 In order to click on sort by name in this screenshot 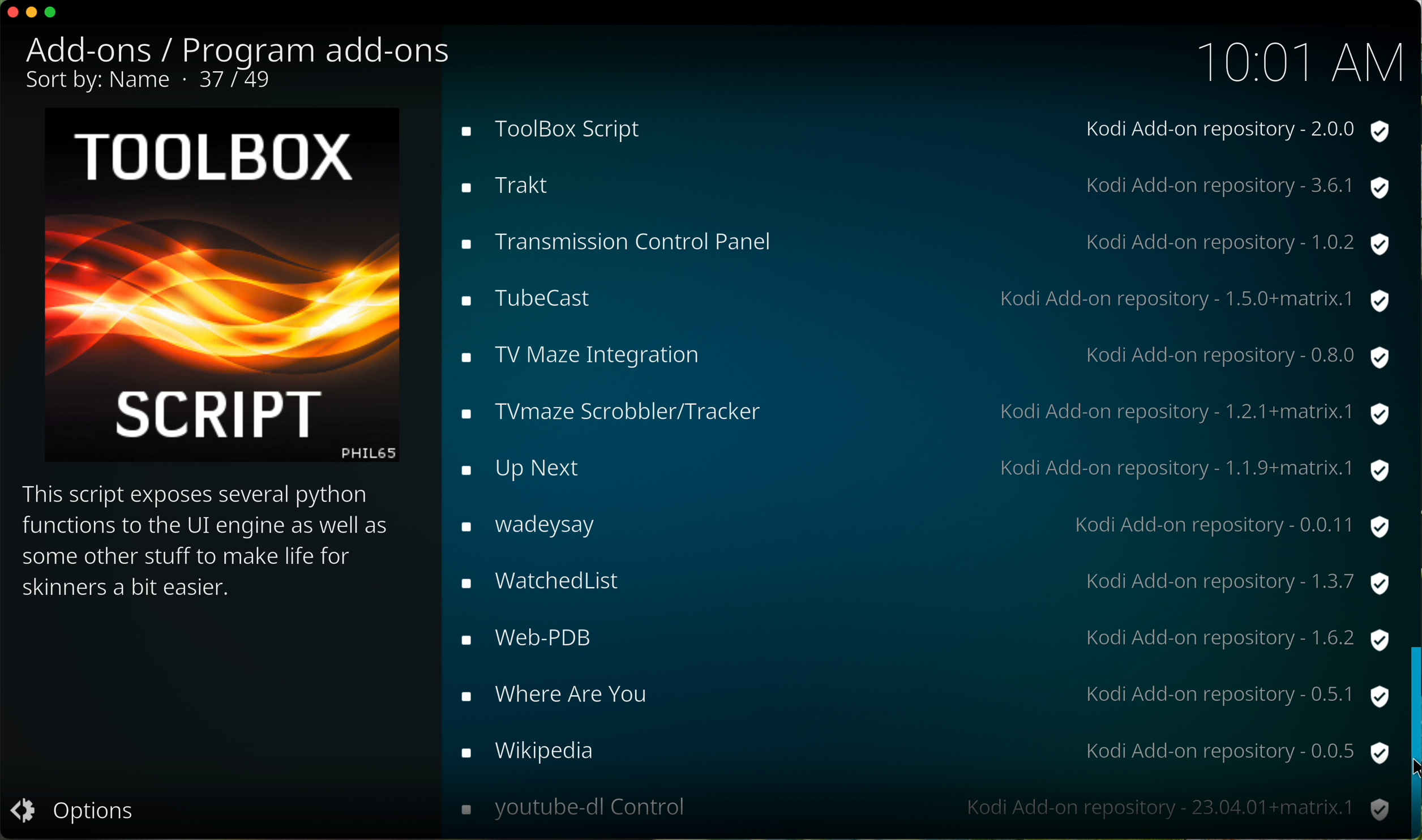, I will do `click(105, 84)`.